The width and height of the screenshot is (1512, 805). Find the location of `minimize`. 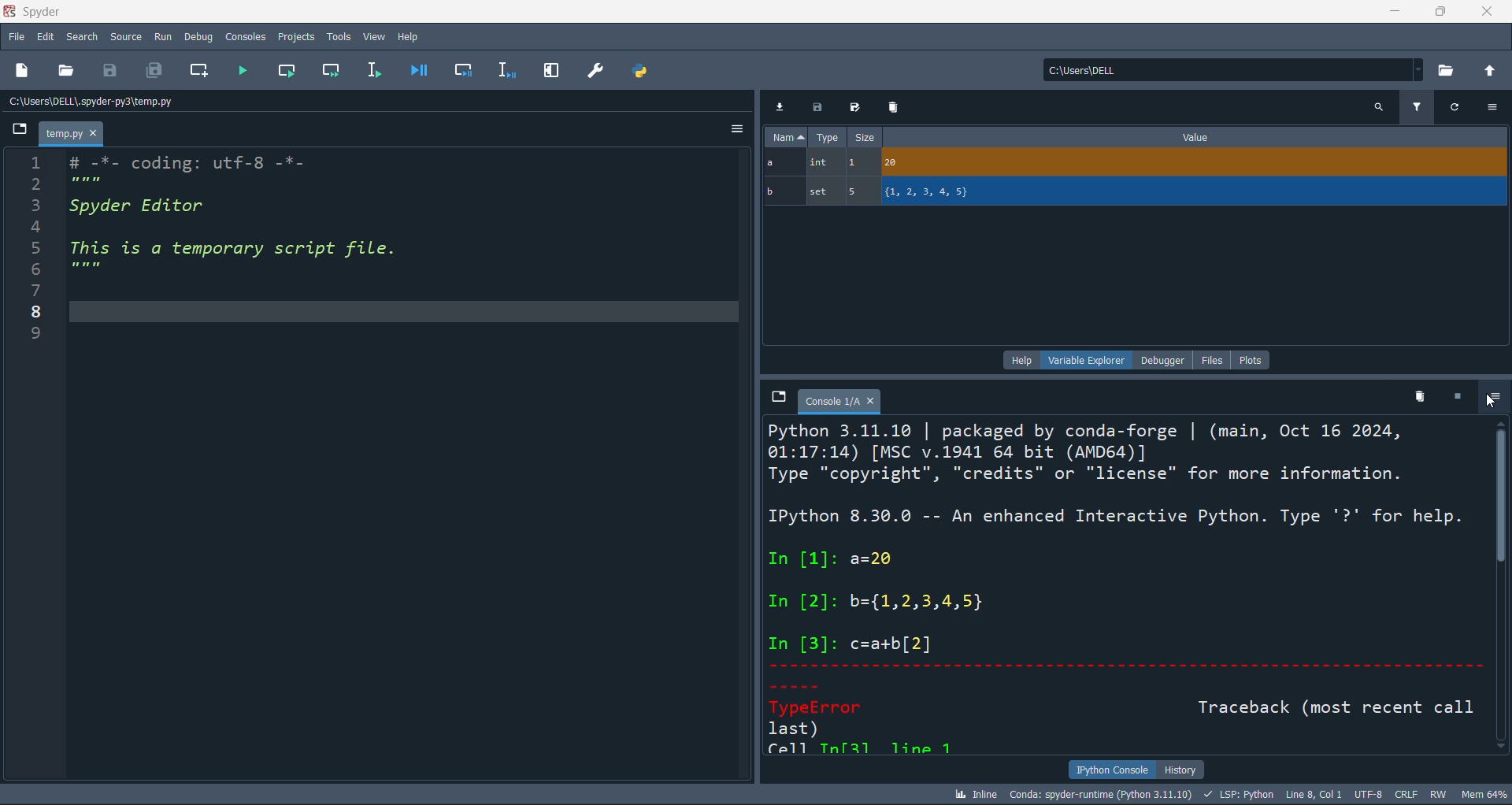

minimize is located at coordinates (1392, 11).